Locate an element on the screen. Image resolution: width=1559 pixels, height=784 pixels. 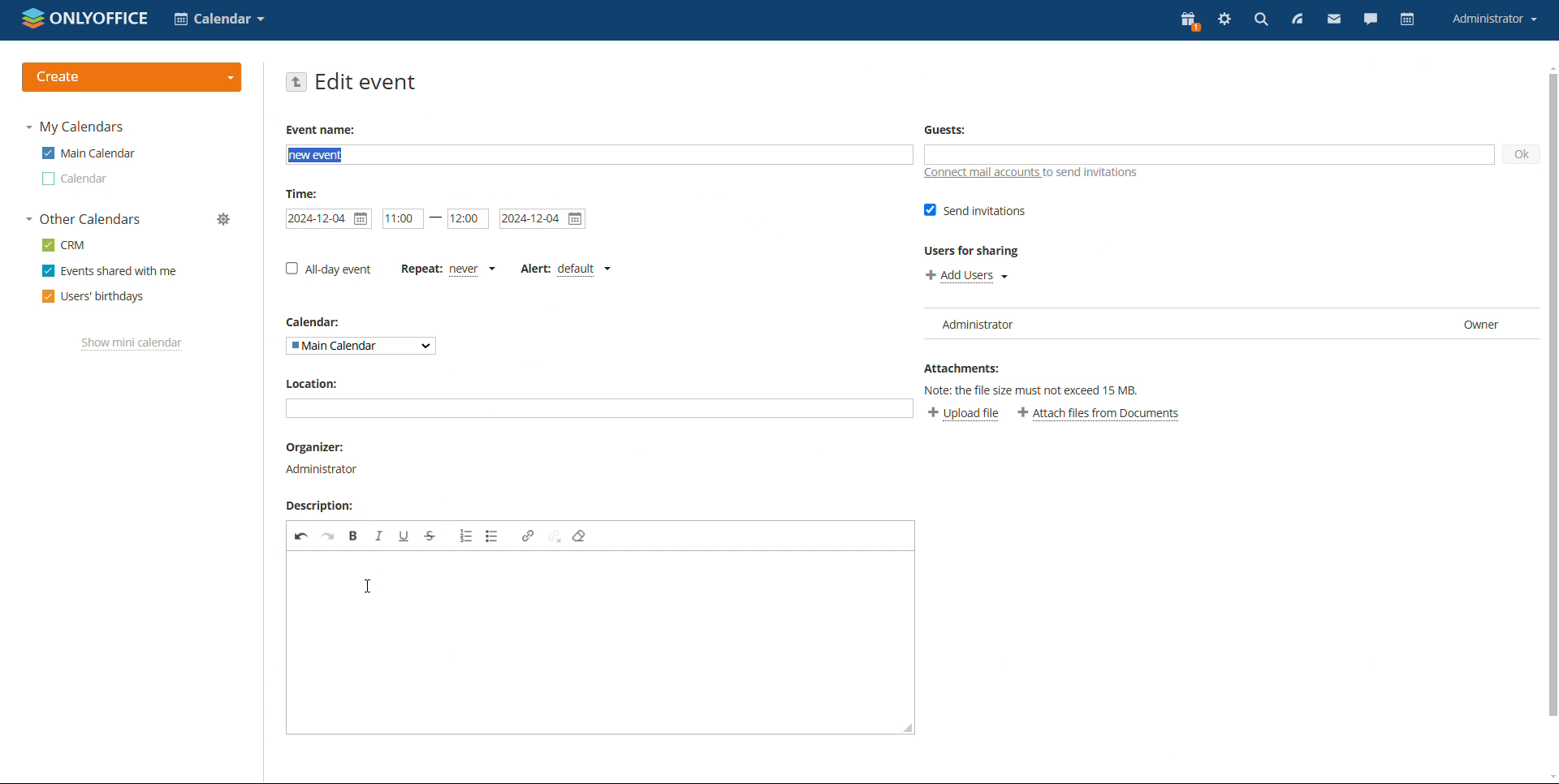
scroll down is located at coordinates (1549, 776).